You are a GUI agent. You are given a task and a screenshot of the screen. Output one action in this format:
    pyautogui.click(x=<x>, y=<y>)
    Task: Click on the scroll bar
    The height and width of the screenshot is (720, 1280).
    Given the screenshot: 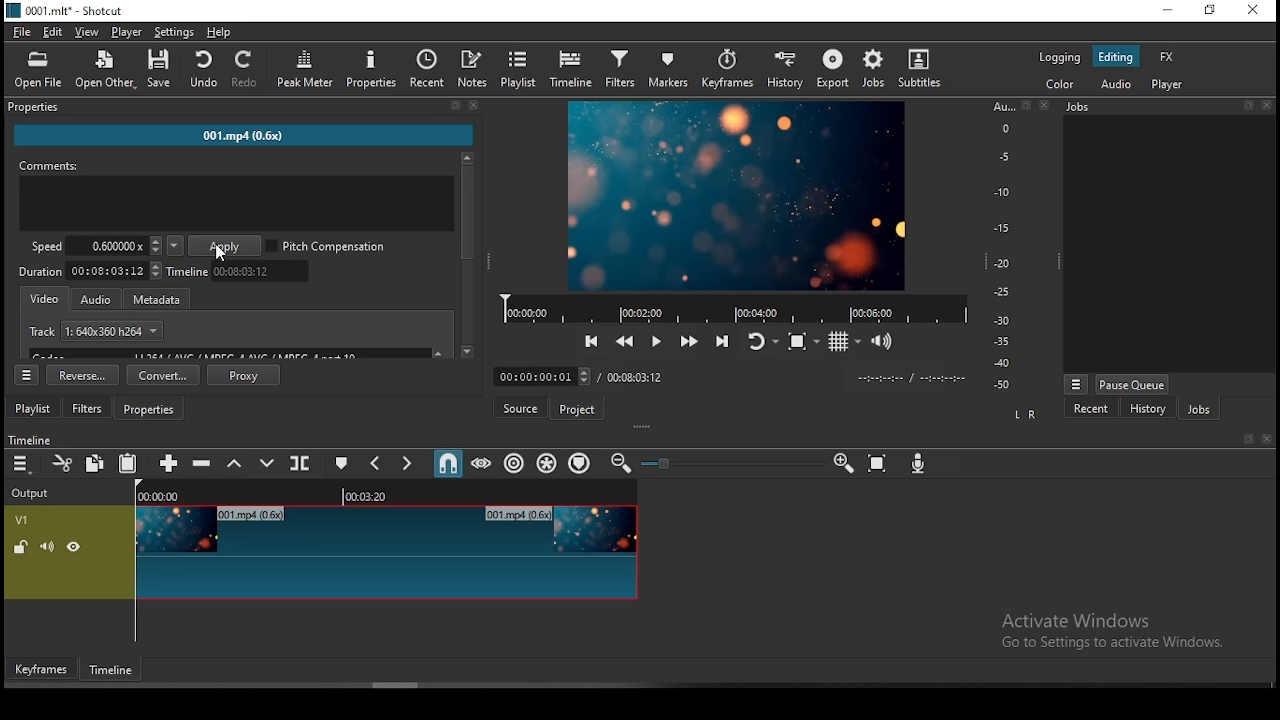 What is the action you would take?
    pyautogui.click(x=469, y=255)
    